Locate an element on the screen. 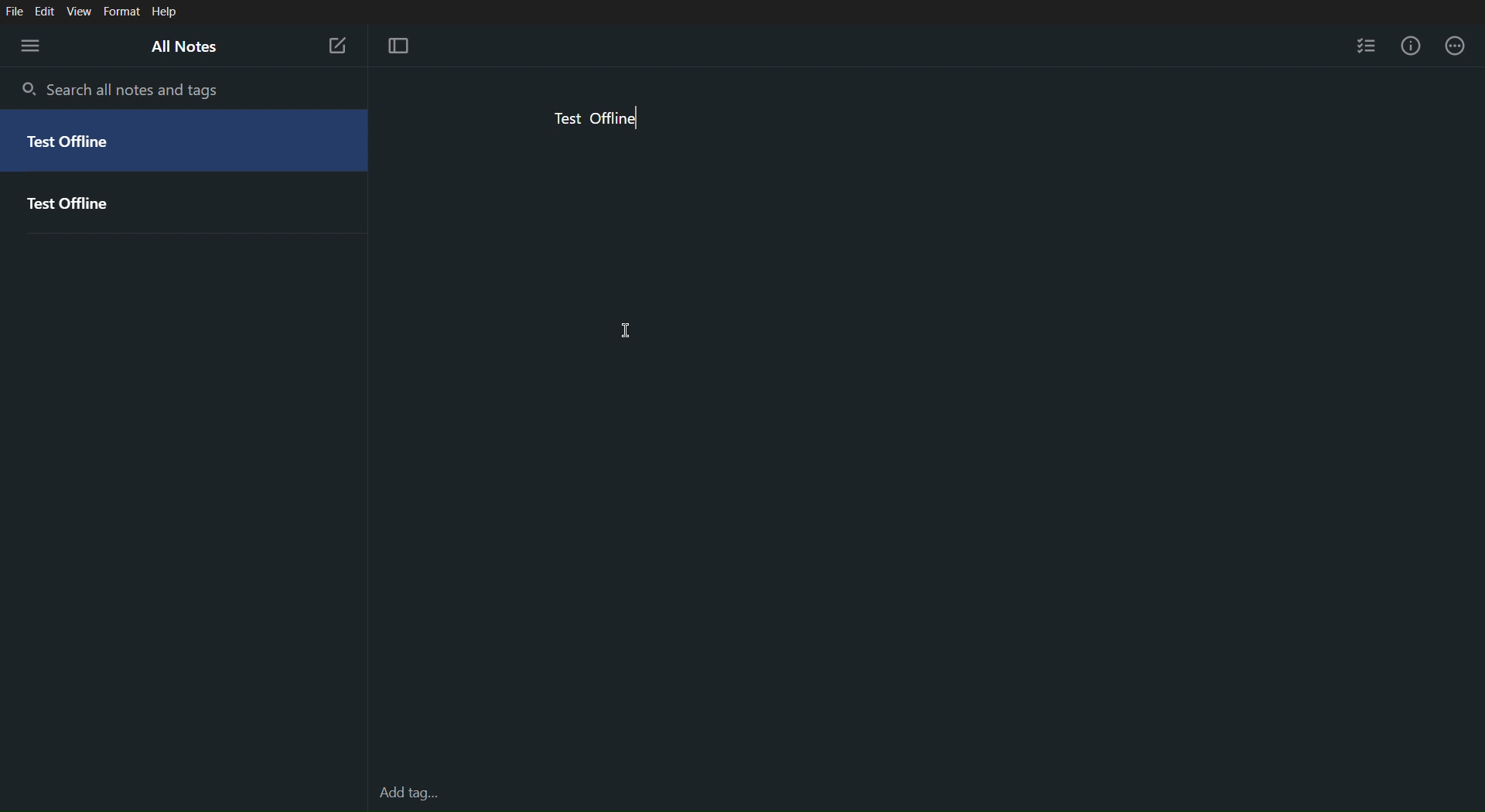 Image resolution: width=1485 pixels, height=812 pixels. All Notes is located at coordinates (192, 47).